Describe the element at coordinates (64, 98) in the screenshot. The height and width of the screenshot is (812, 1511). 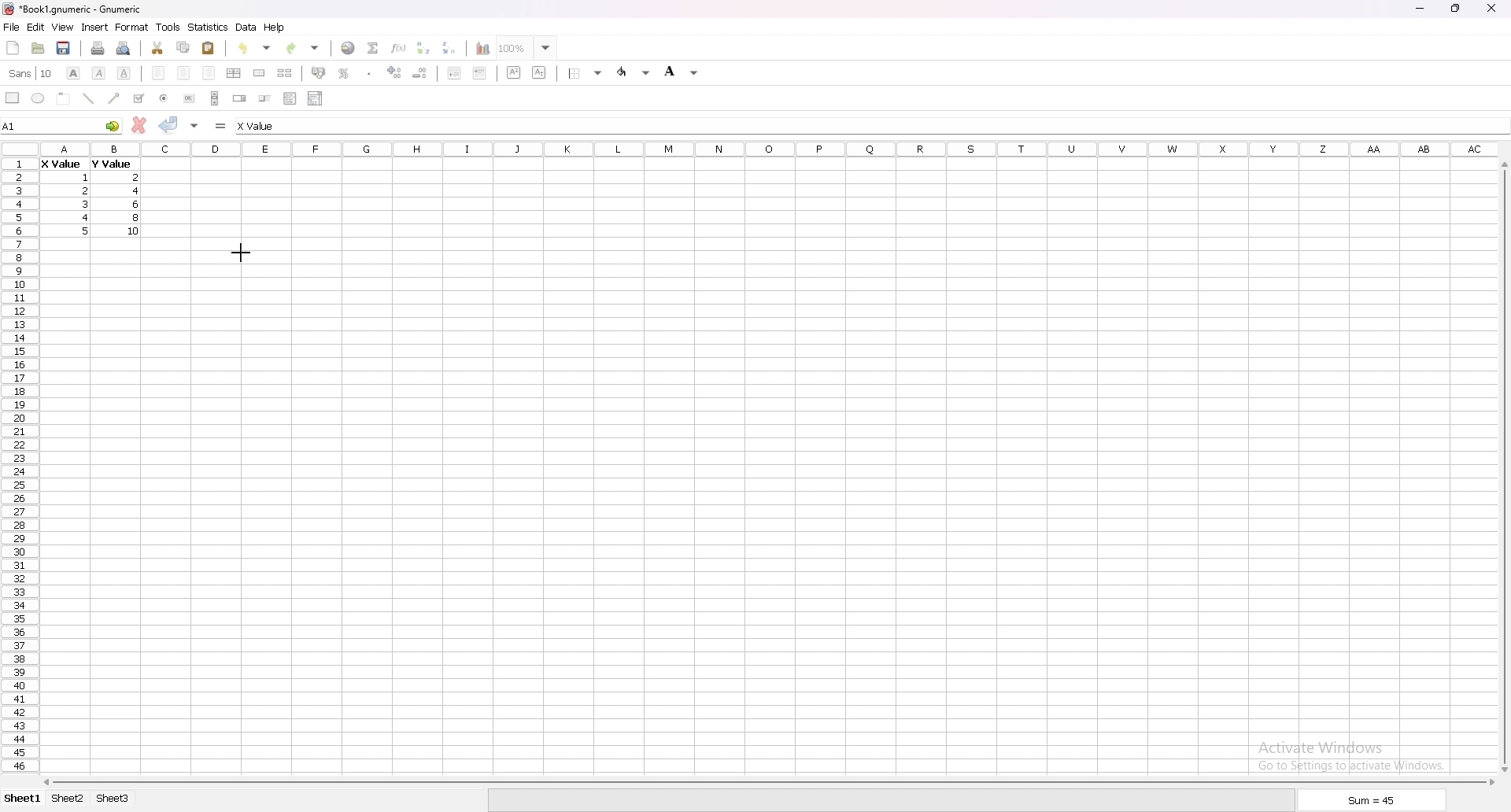
I see `frame` at that location.